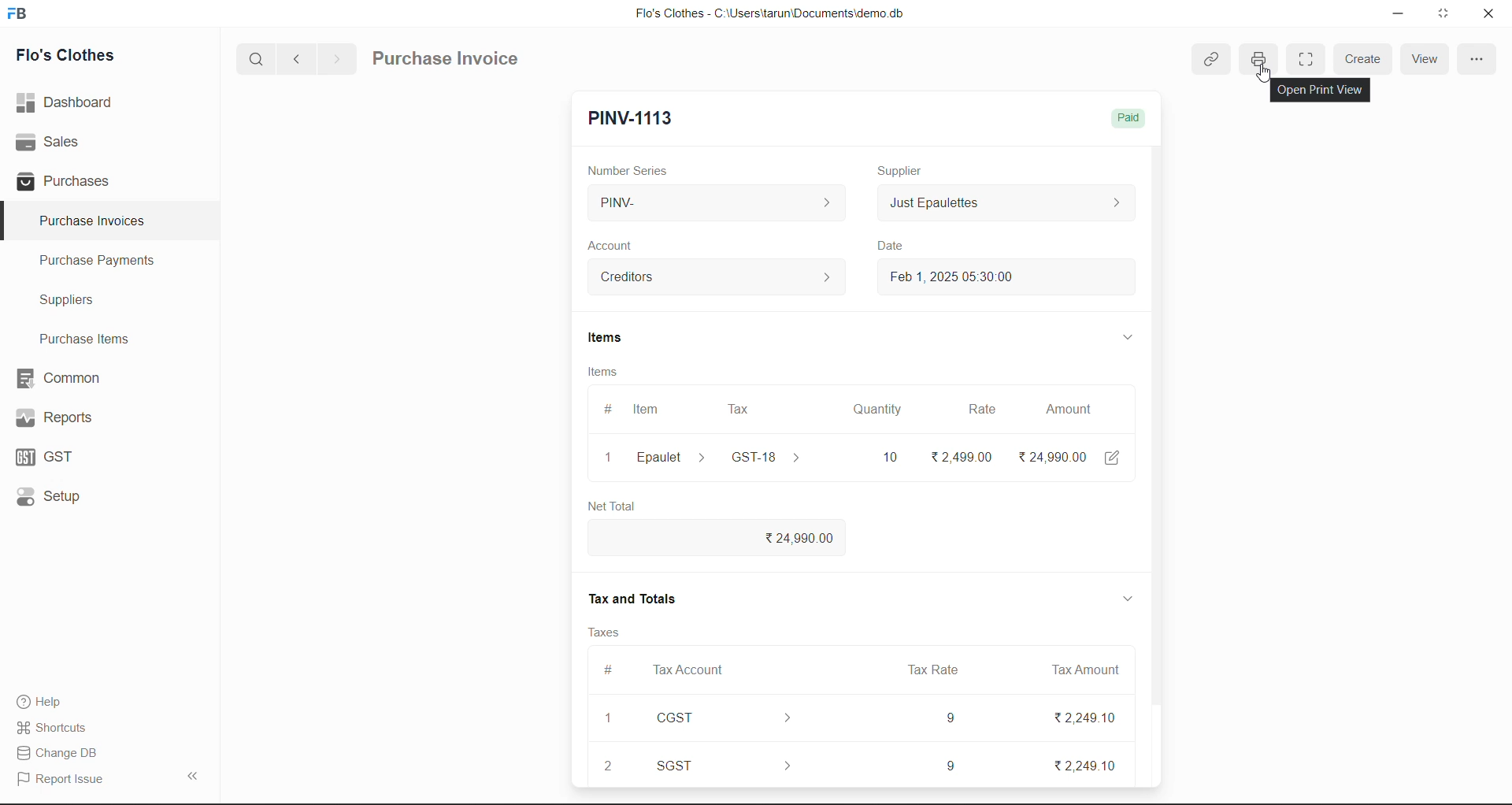 This screenshot has height=805, width=1512. What do you see at coordinates (787, 539) in the screenshot?
I see `₹24,990.00` at bounding box center [787, 539].